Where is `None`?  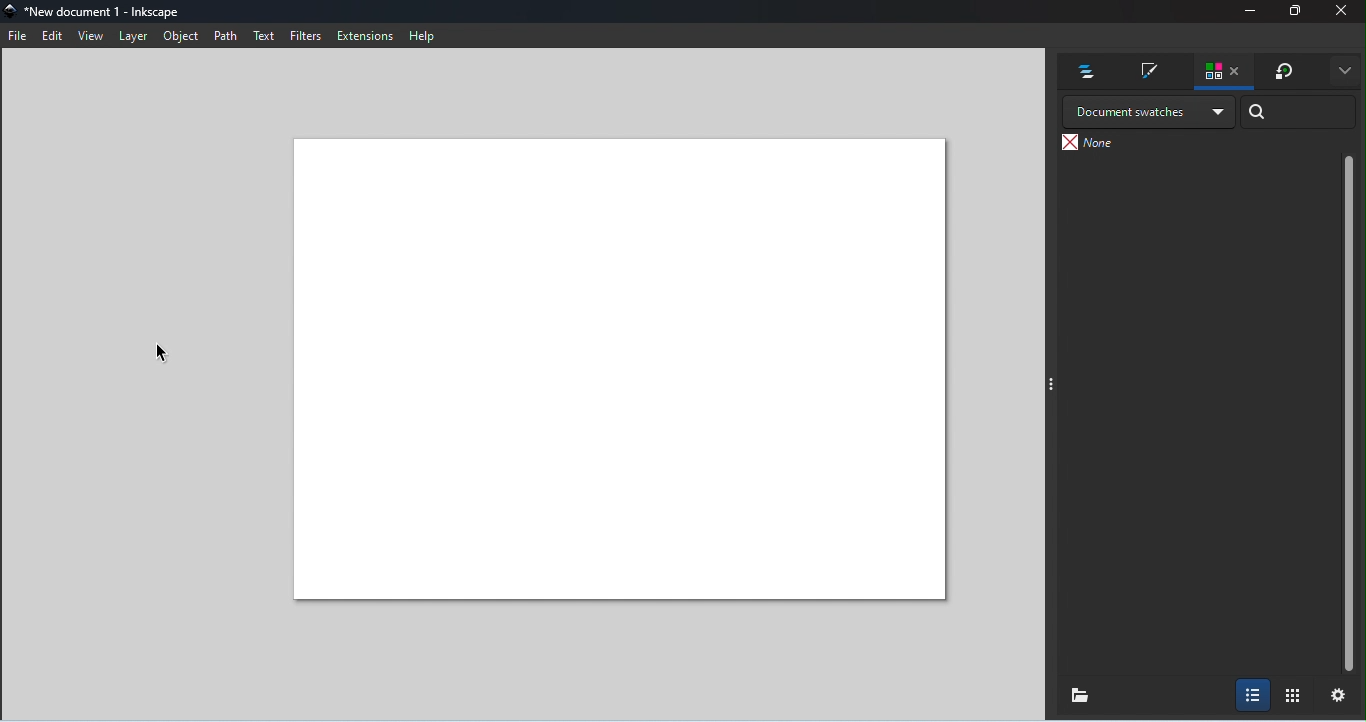 None is located at coordinates (1089, 143).